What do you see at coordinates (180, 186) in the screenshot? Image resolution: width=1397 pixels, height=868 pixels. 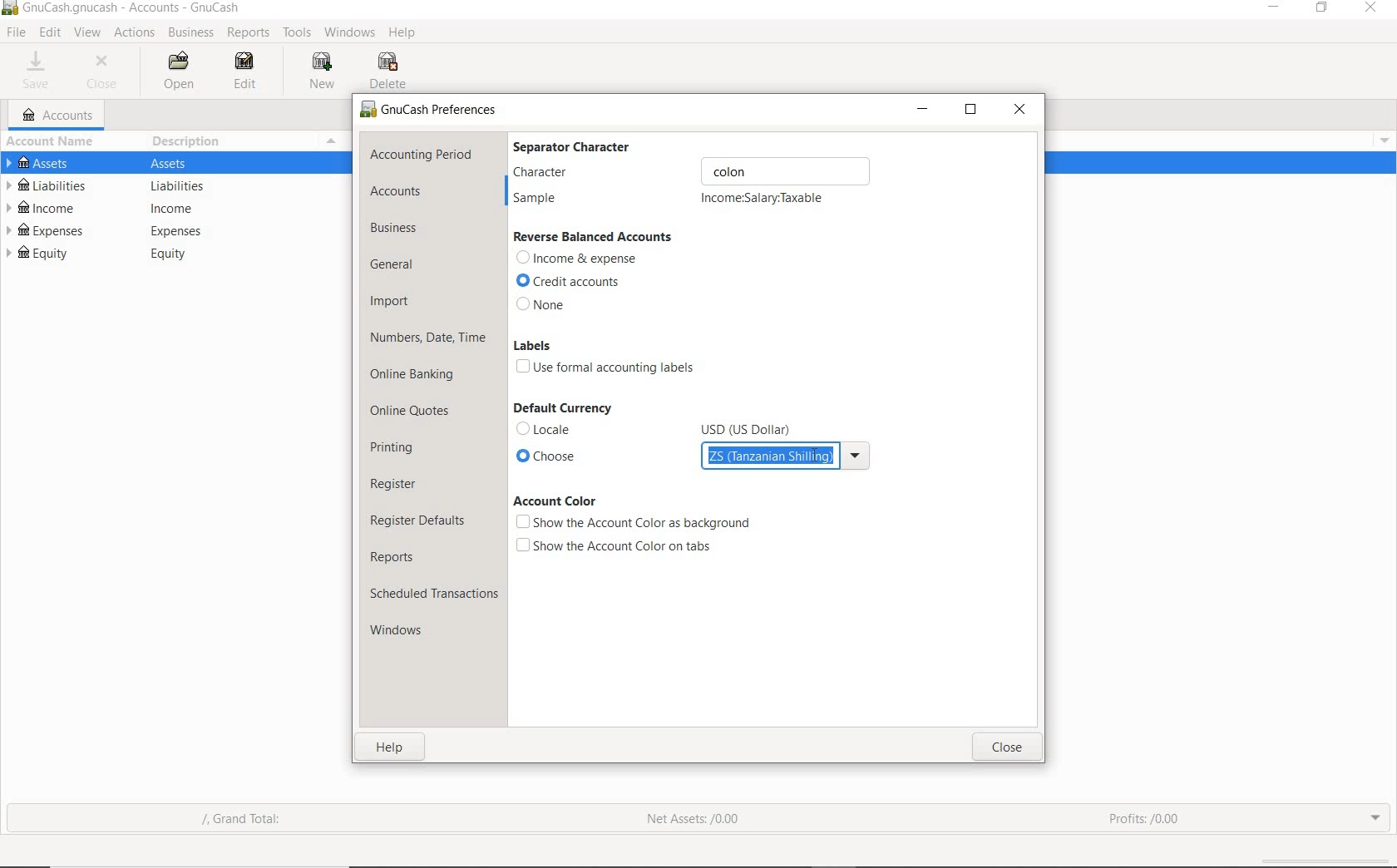 I see `` at bounding box center [180, 186].